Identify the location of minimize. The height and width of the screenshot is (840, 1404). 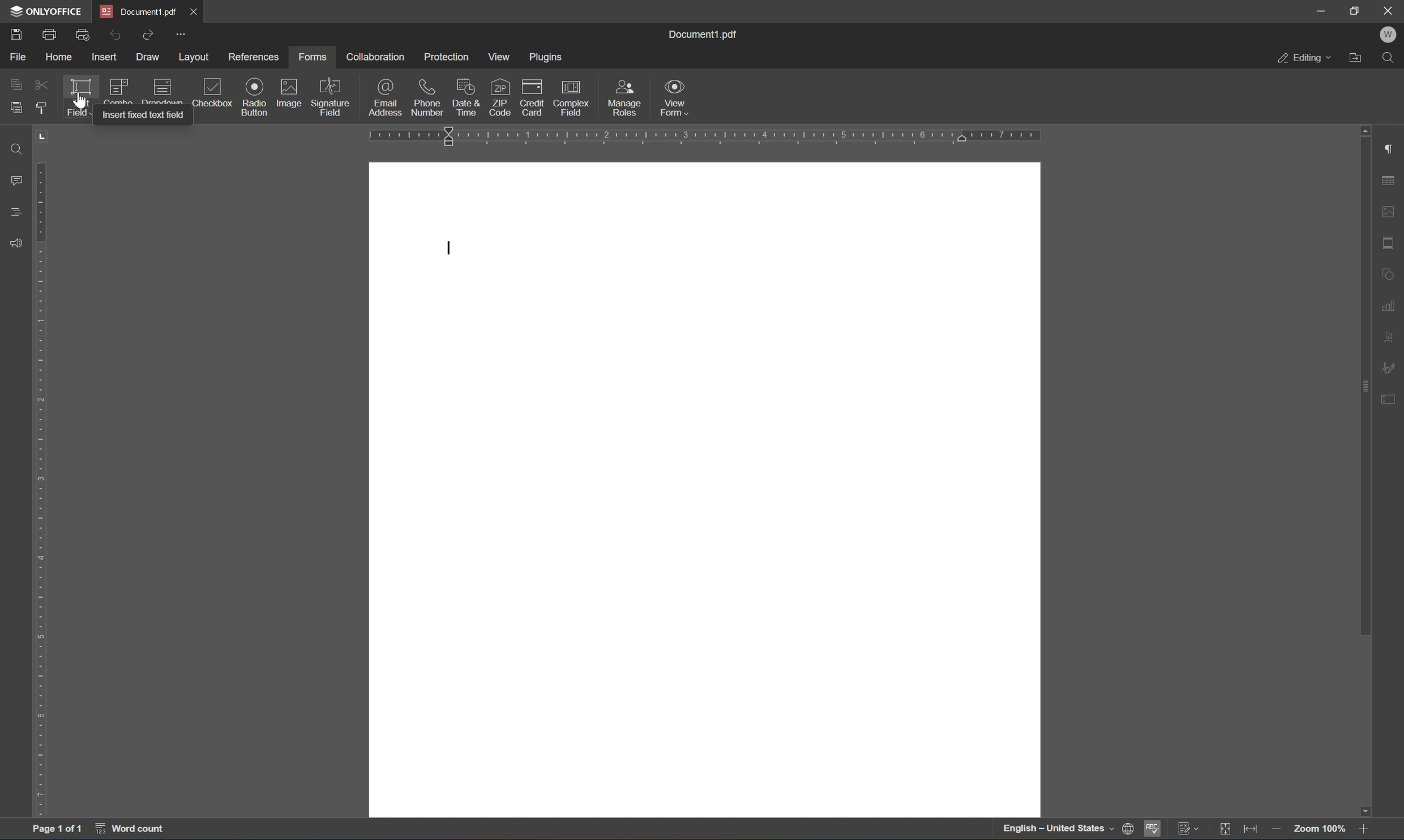
(1315, 10).